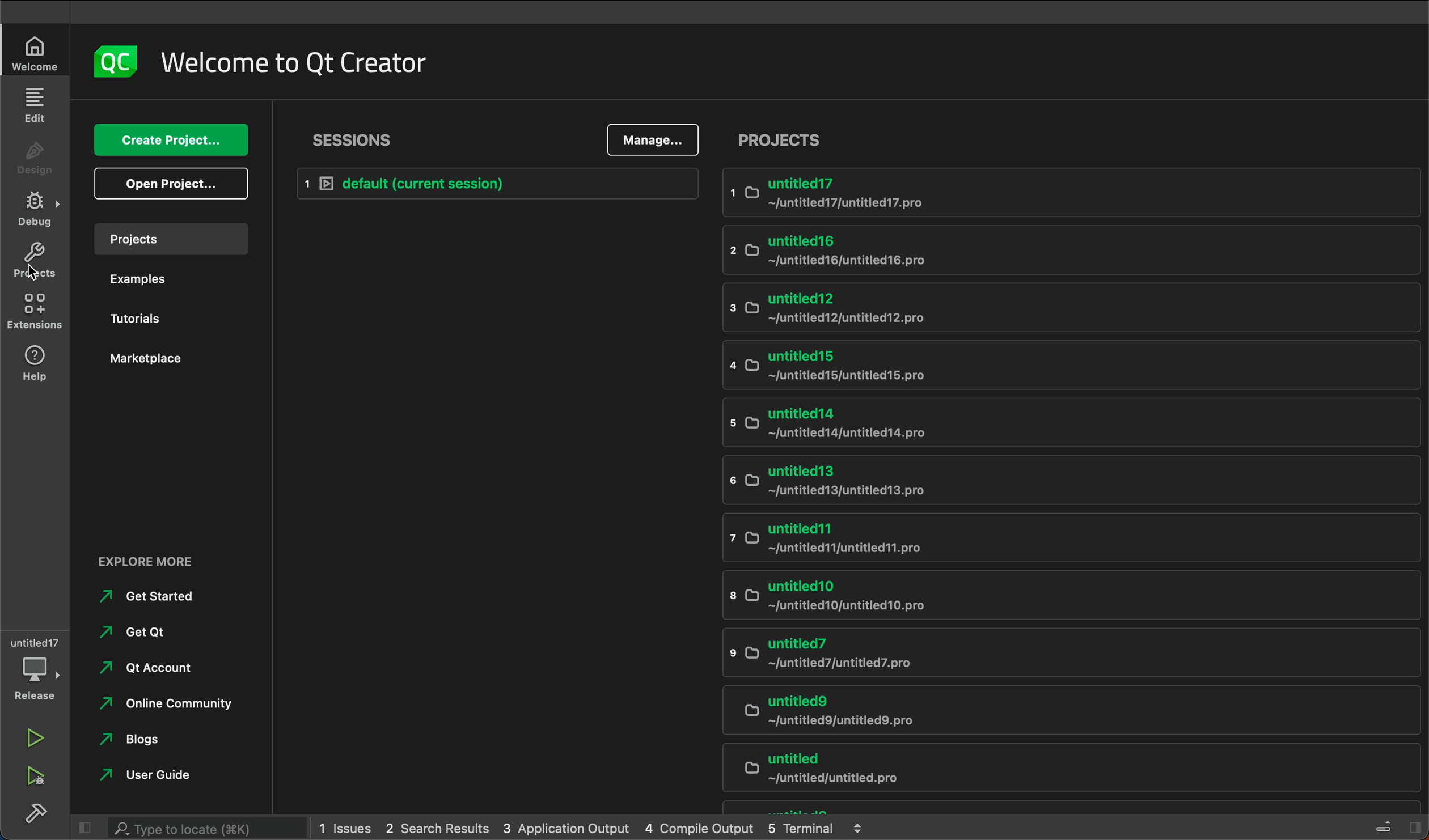  I want to click on user guide, so click(147, 777).